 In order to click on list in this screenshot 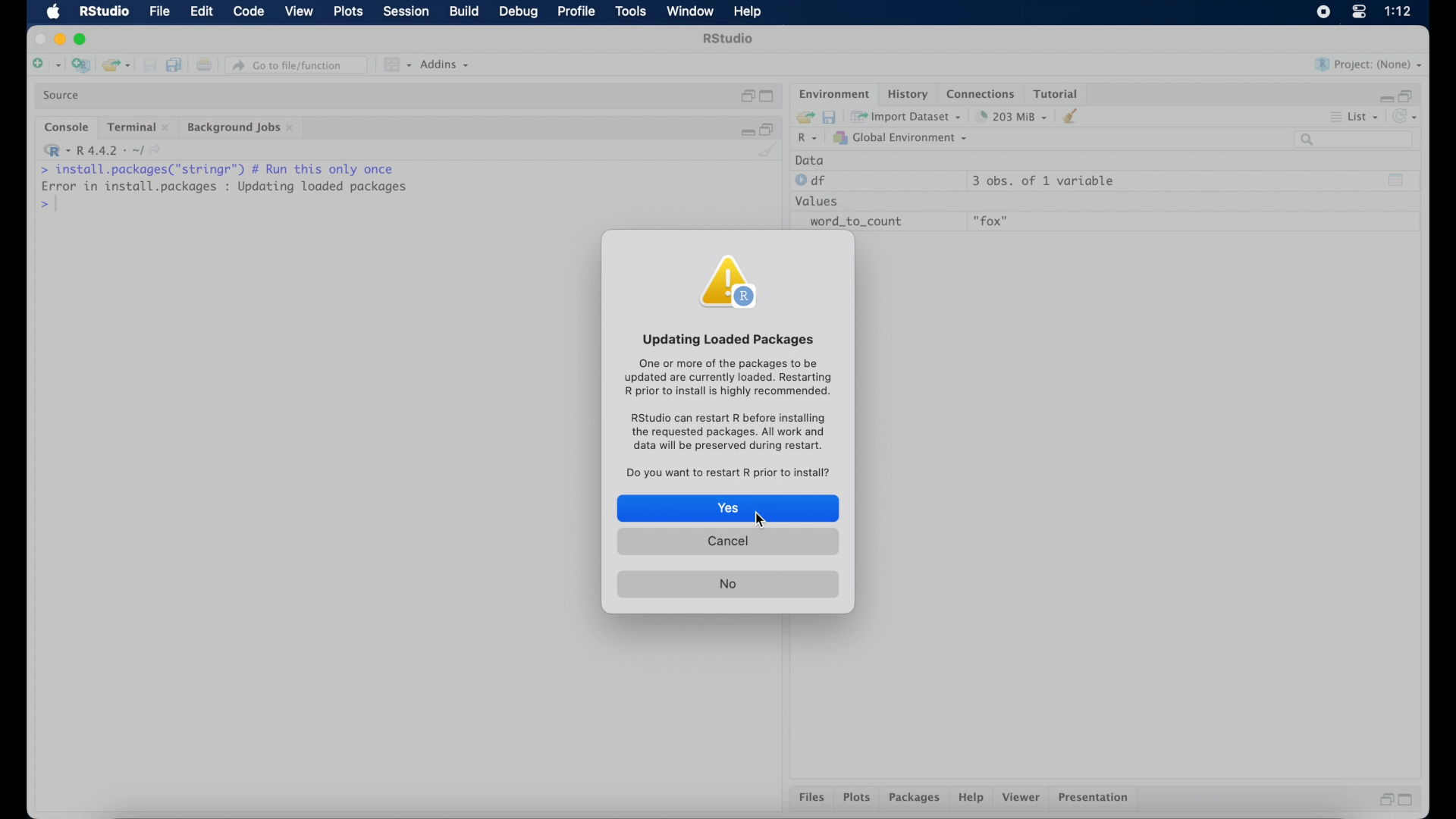, I will do `click(1356, 118)`.